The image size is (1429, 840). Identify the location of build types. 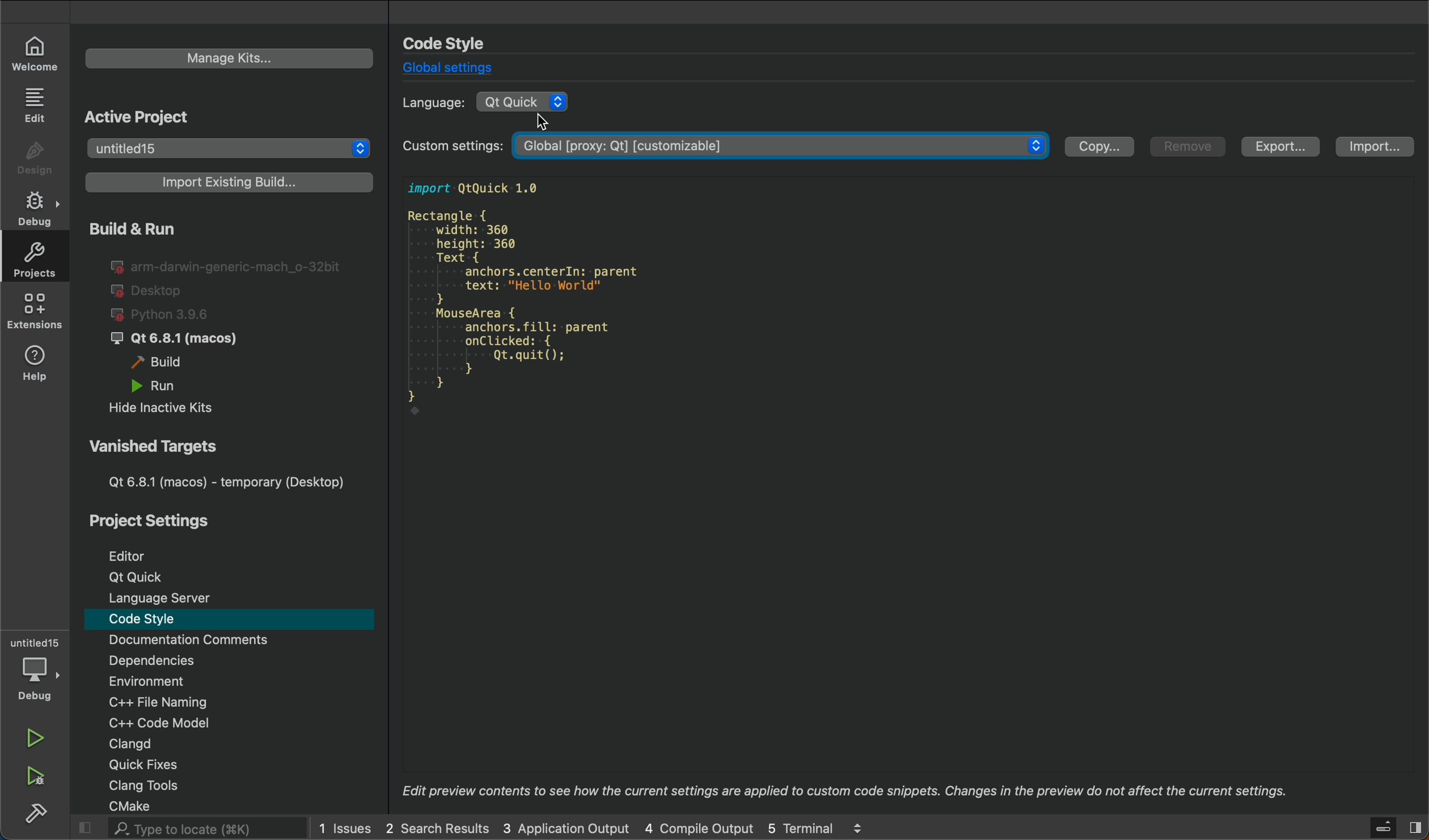
(219, 320).